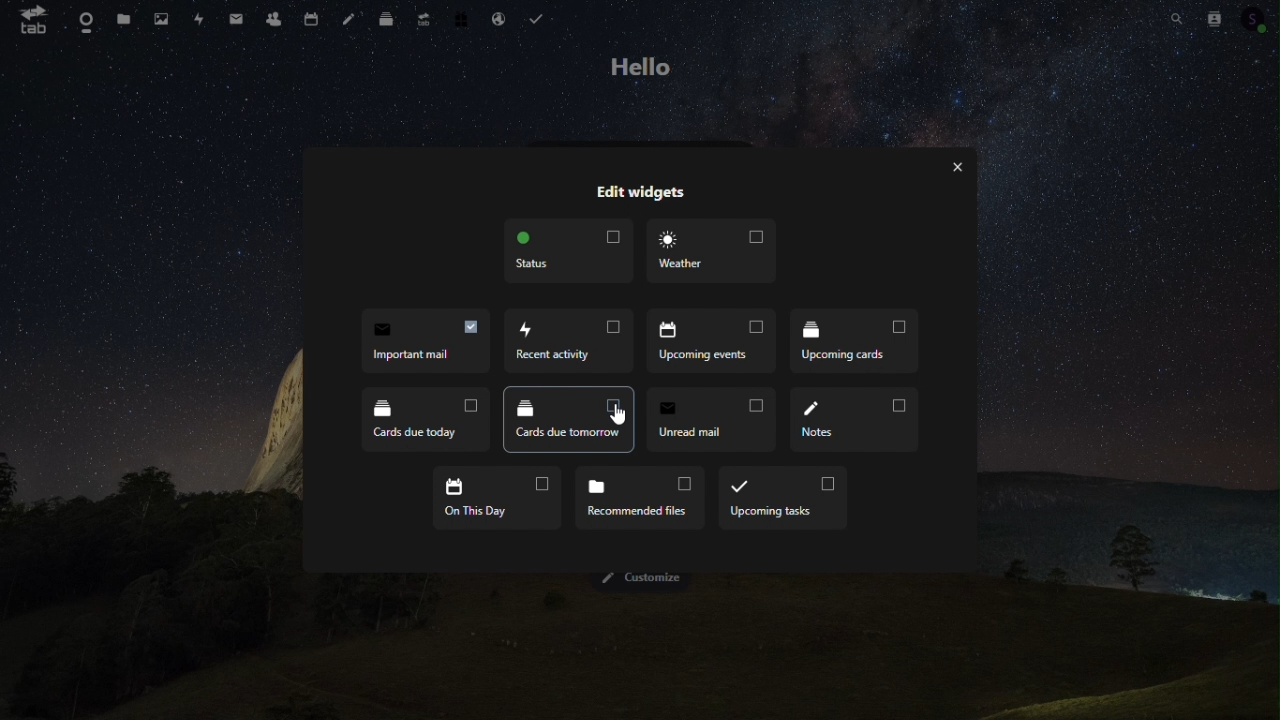 The width and height of the screenshot is (1280, 720). What do you see at coordinates (272, 18) in the screenshot?
I see `Contacts` at bounding box center [272, 18].